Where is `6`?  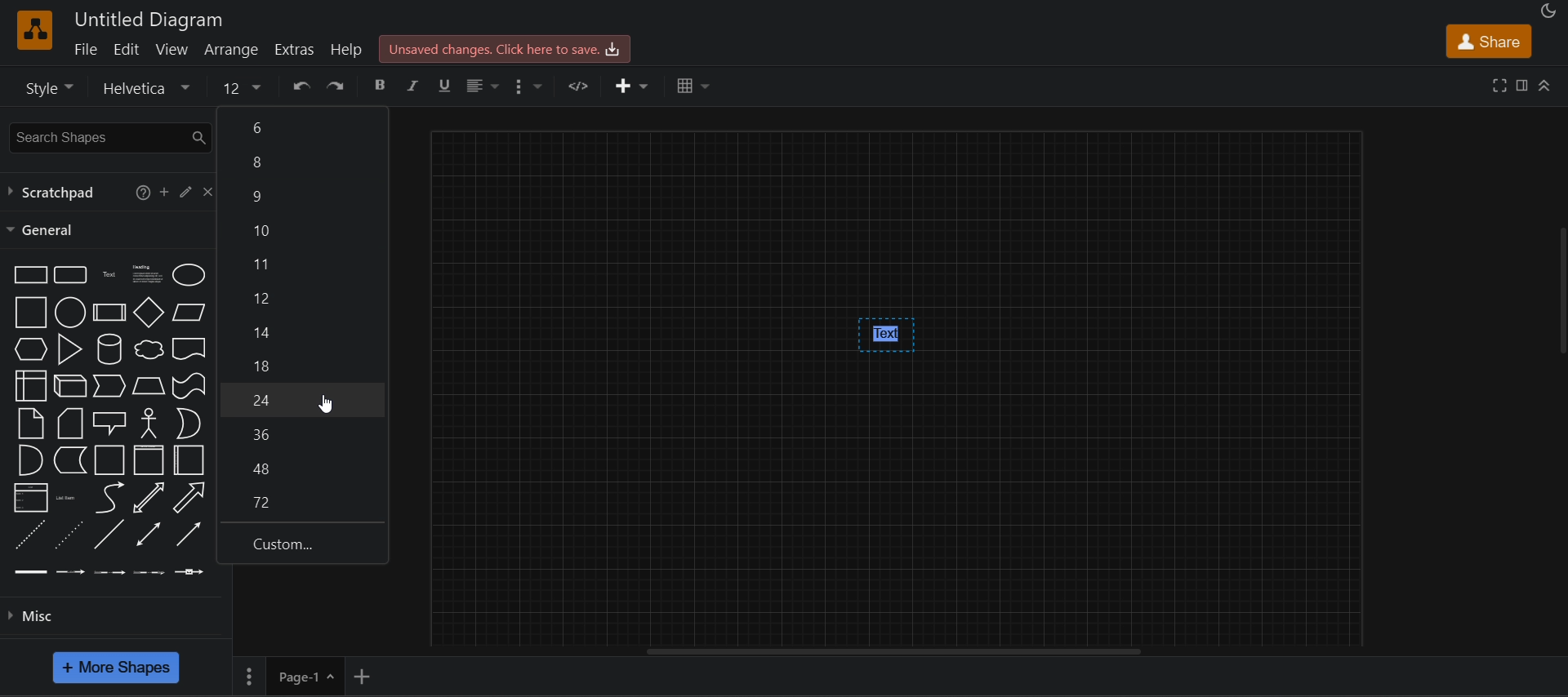 6 is located at coordinates (302, 127).